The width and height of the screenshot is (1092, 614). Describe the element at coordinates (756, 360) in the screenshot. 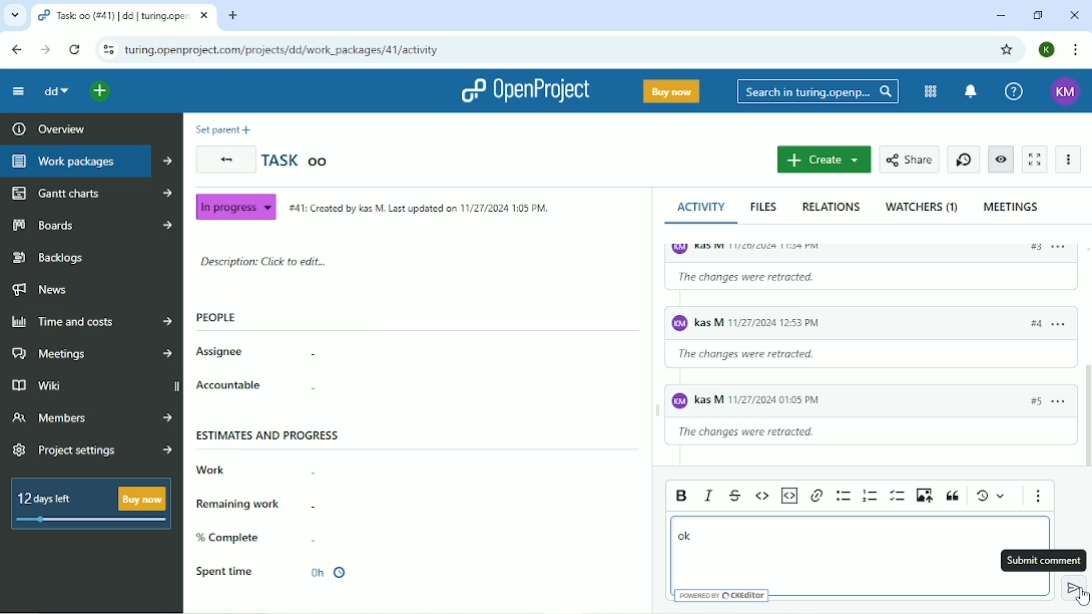

I see `The changes were retracted` at that location.